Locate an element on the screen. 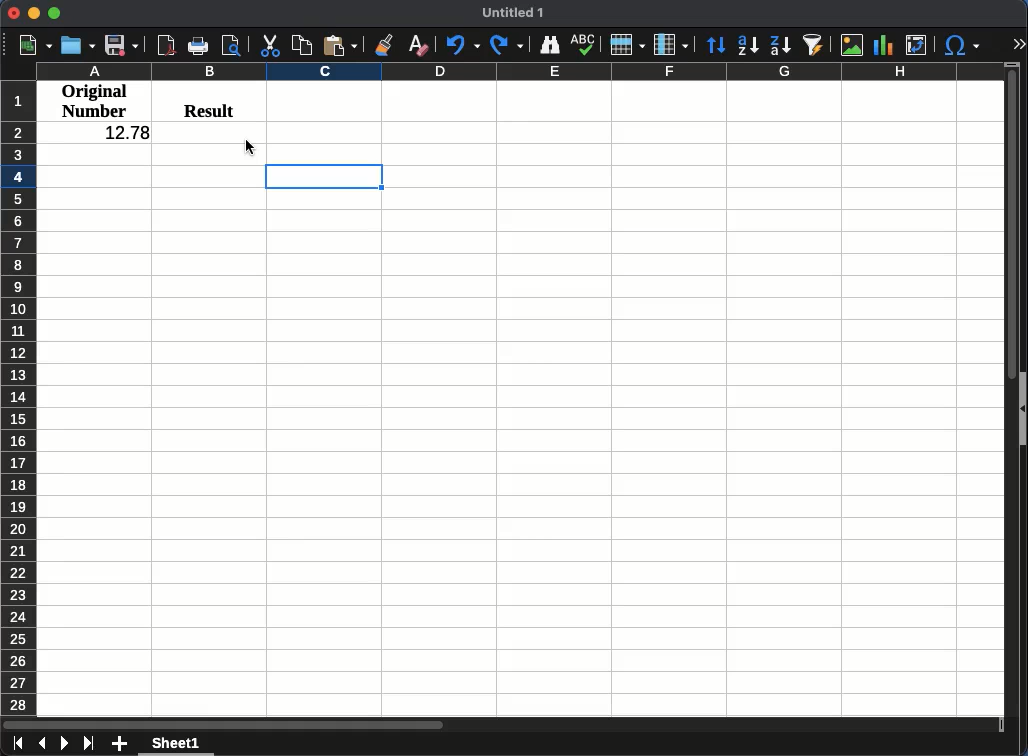 Image resolution: width=1028 pixels, height=756 pixels. Sort is located at coordinates (716, 45).